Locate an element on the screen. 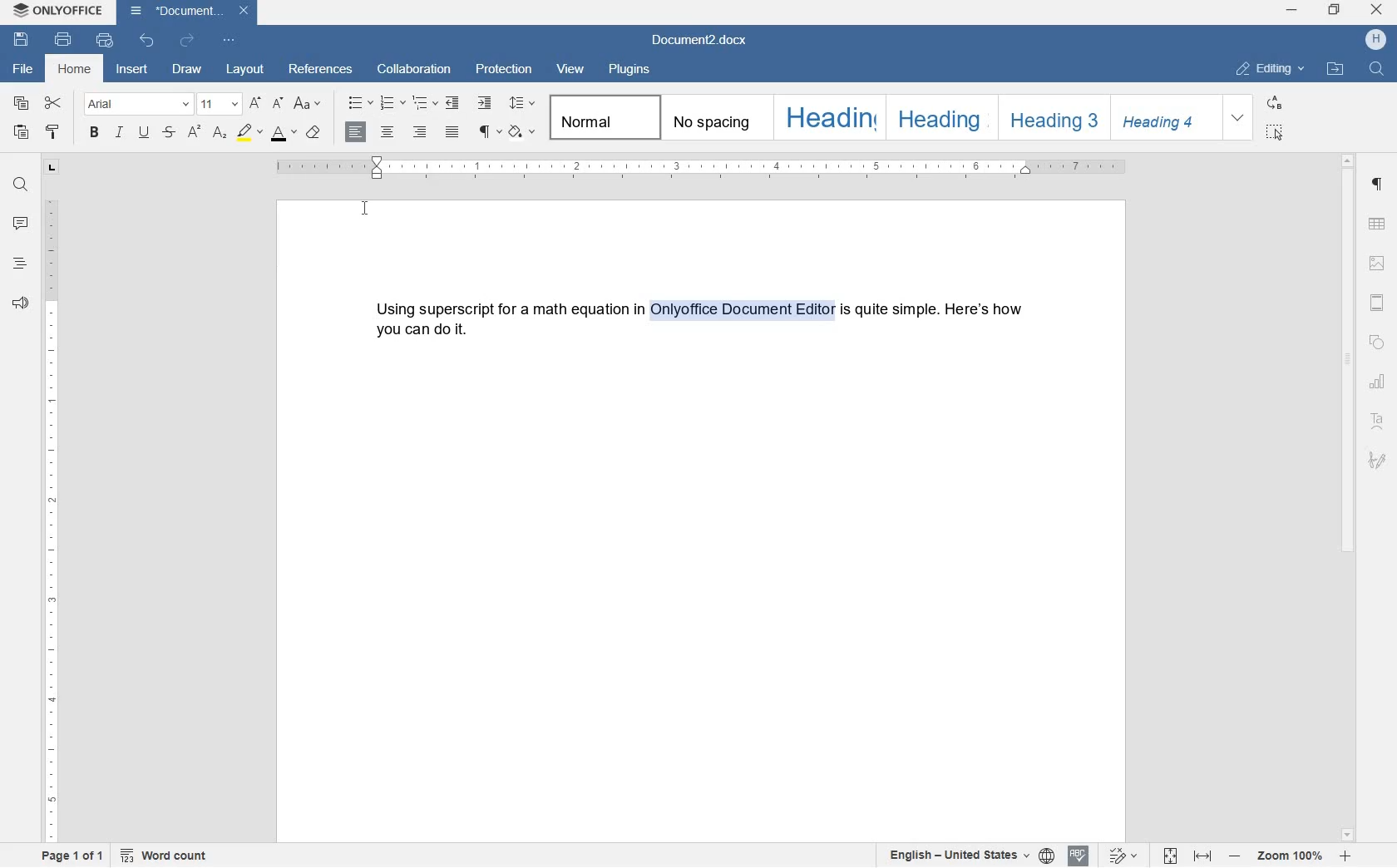 The height and width of the screenshot is (868, 1397). superscript is located at coordinates (195, 132).